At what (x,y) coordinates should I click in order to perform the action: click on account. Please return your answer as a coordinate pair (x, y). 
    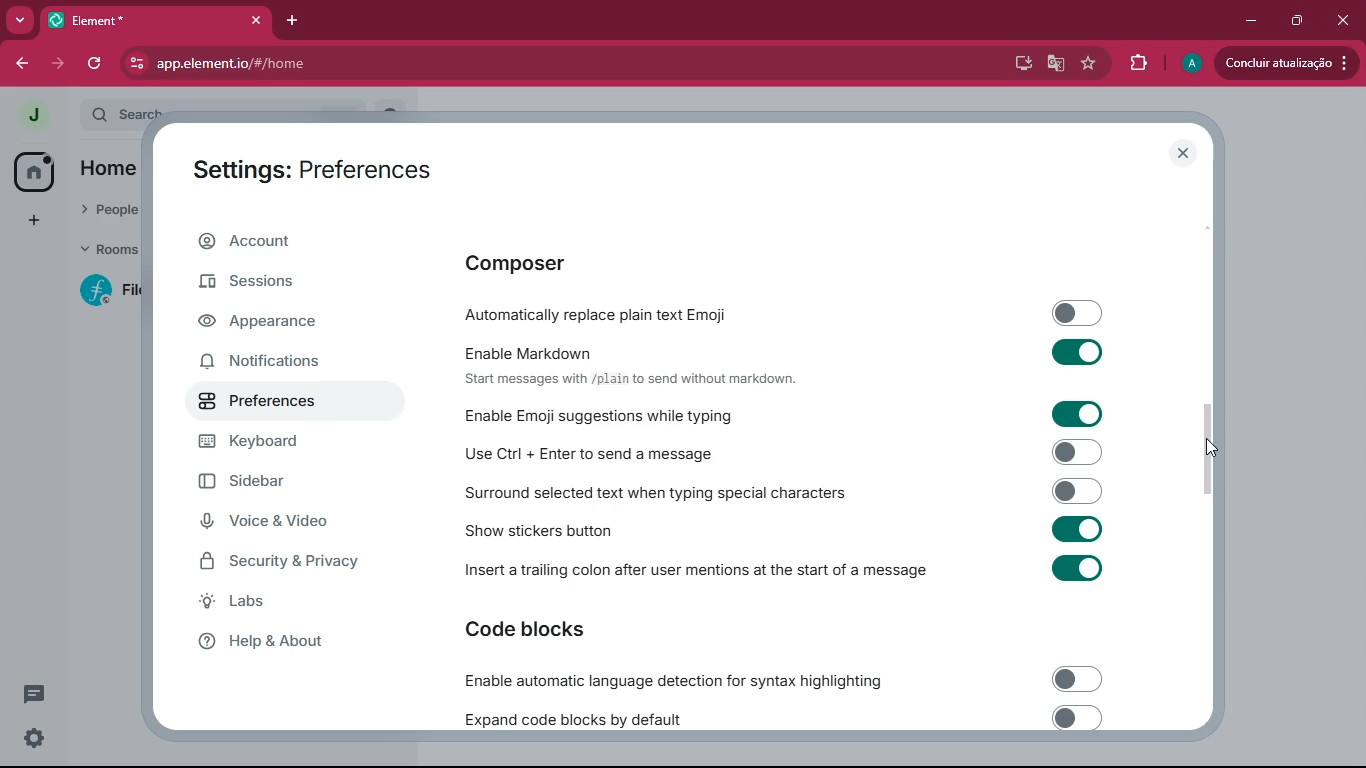
    Looking at the image, I should click on (286, 238).